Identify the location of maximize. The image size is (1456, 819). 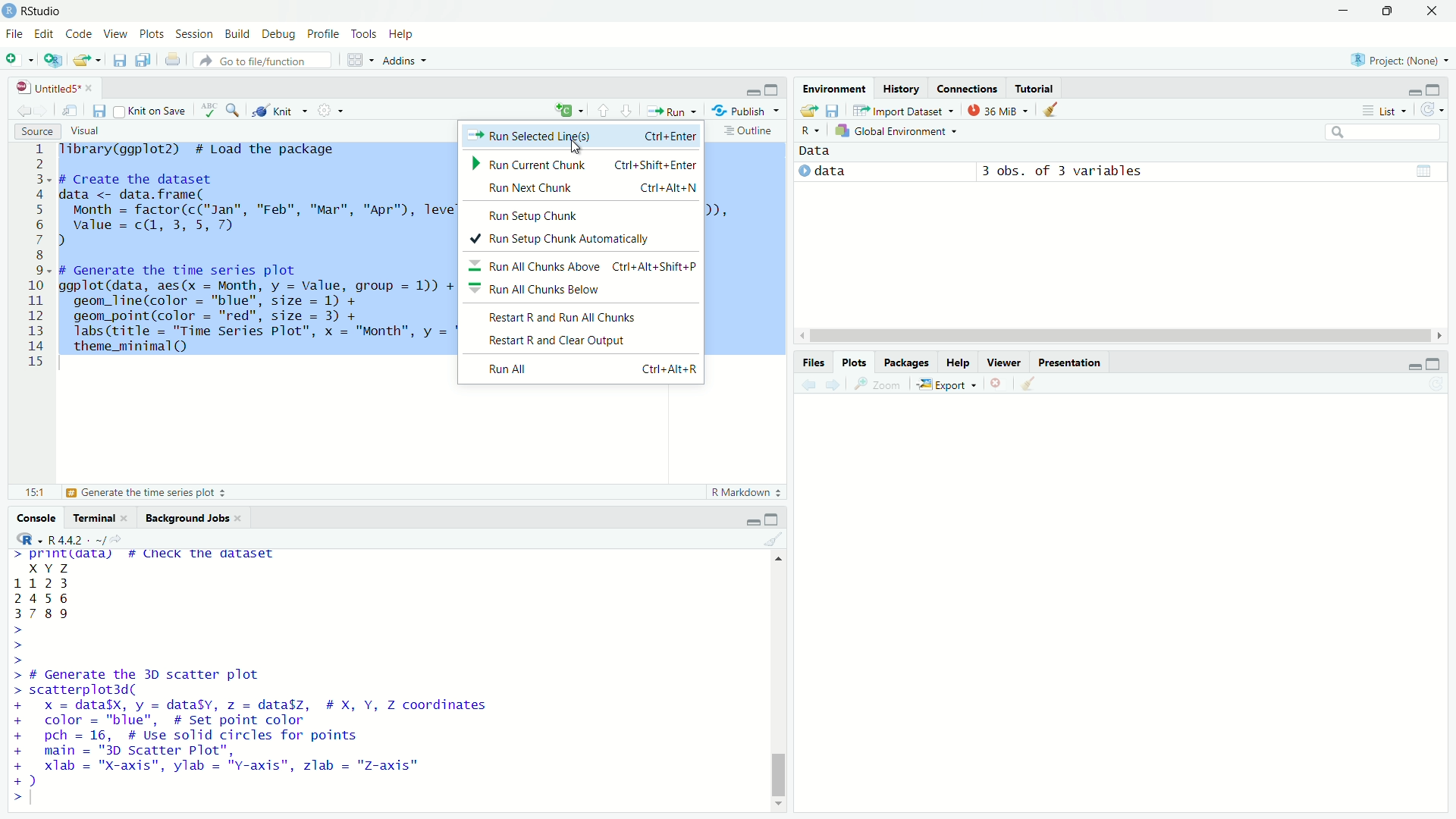
(773, 519).